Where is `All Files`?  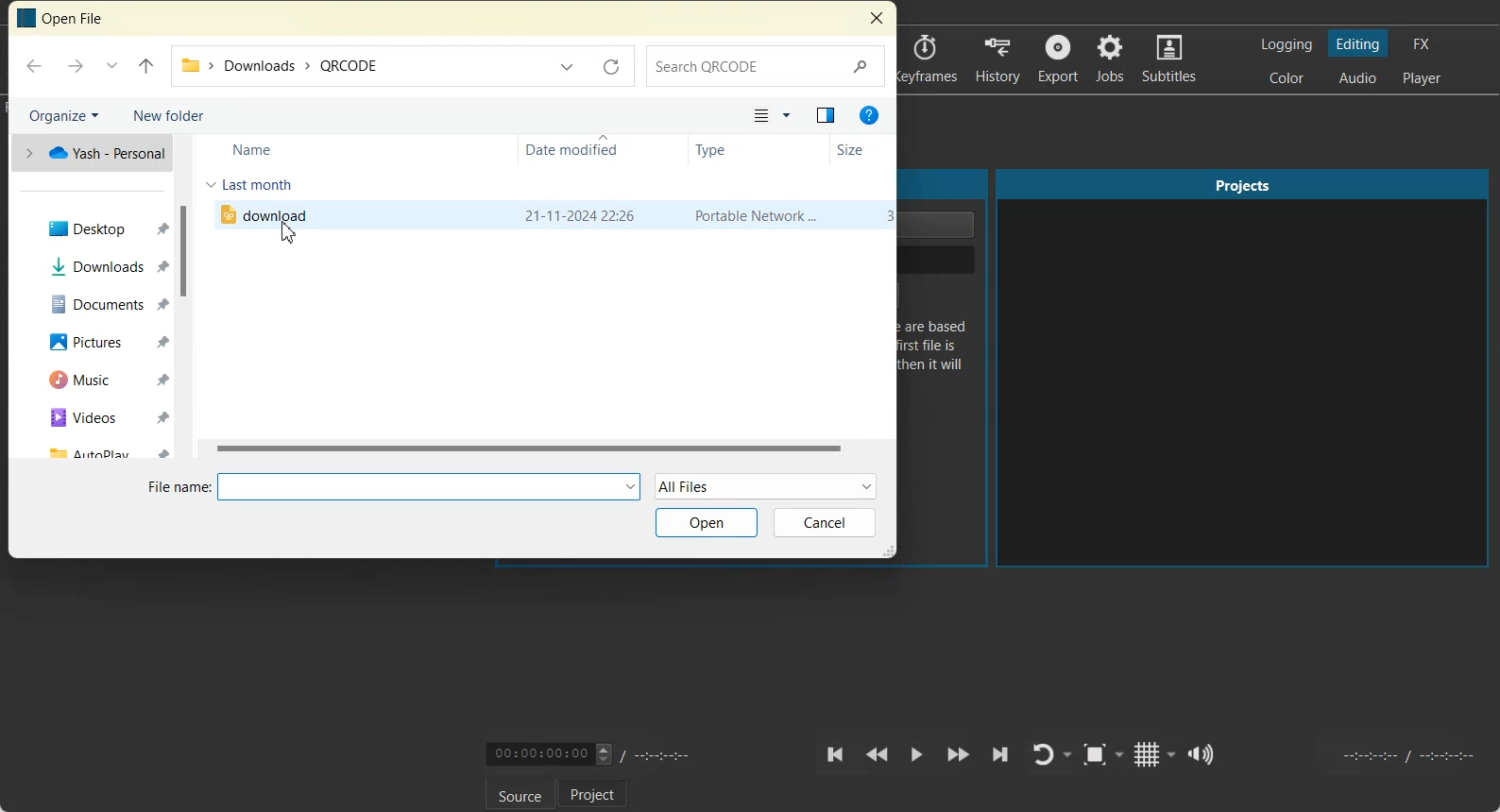 All Files is located at coordinates (766, 485).